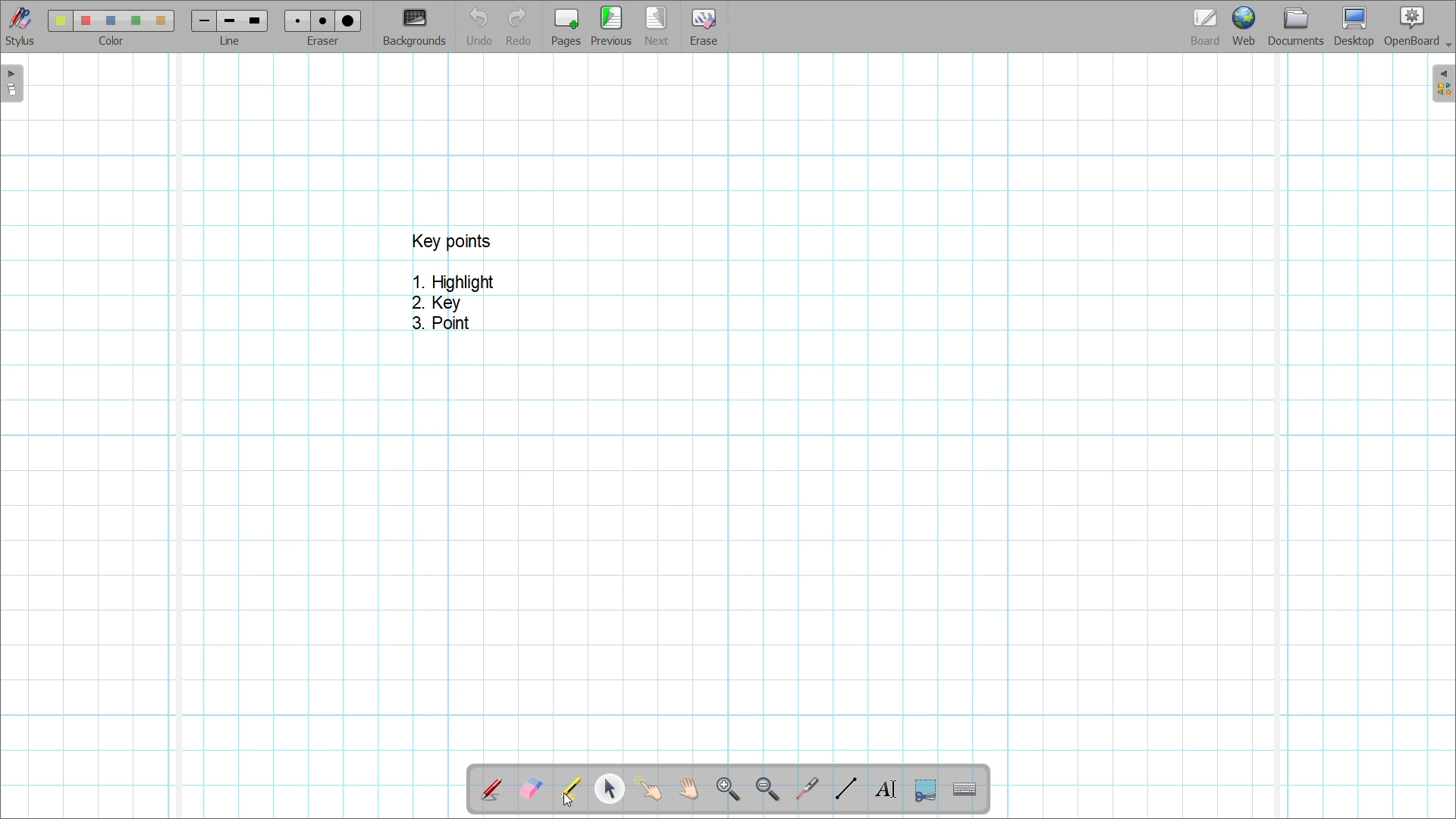 The width and height of the screenshot is (1456, 819). Describe the element at coordinates (1206, 27) in the screenshot. I see `Board` at that location.